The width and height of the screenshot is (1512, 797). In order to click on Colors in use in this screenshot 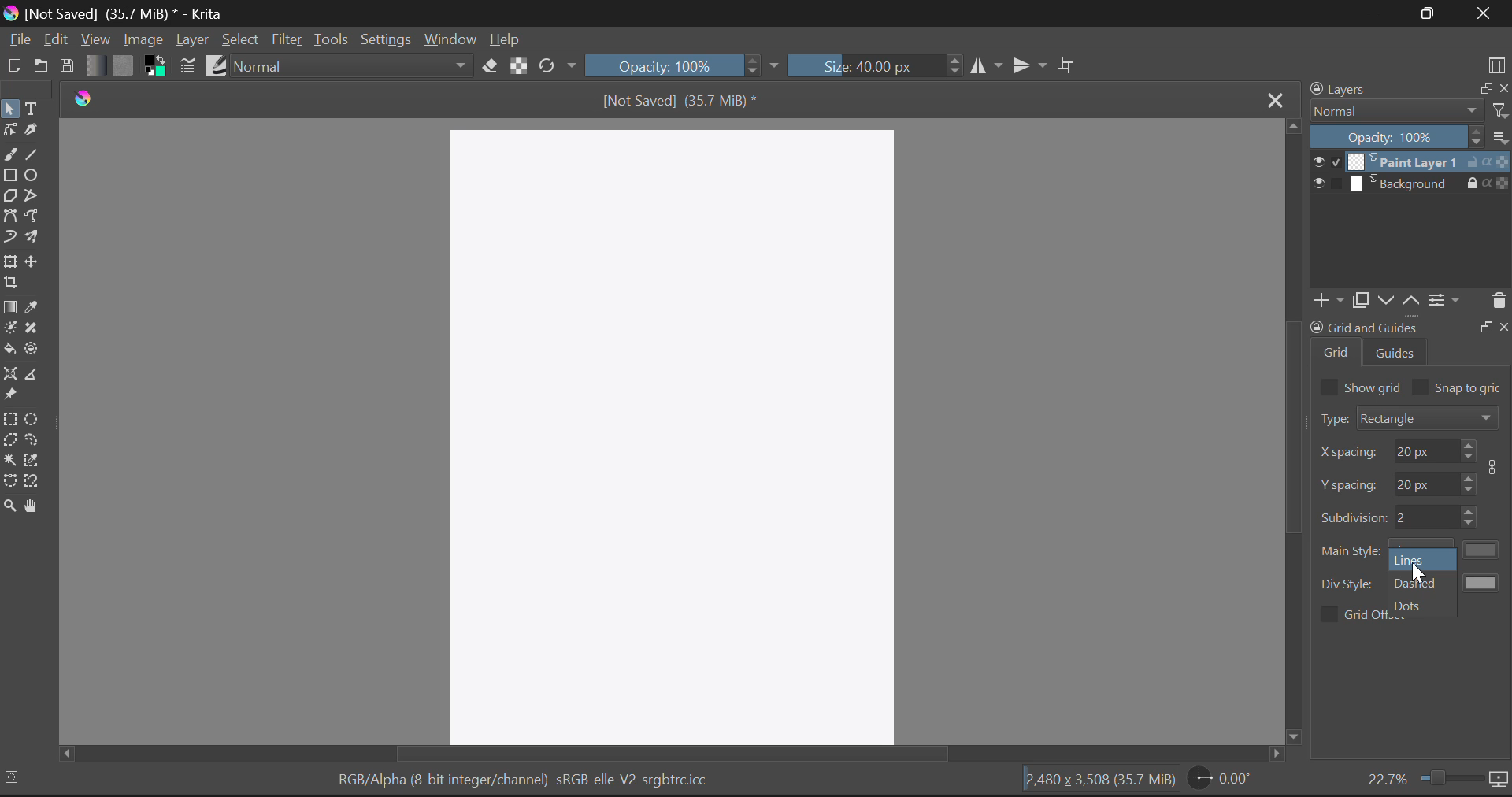, I will do `click(156, 66)`.